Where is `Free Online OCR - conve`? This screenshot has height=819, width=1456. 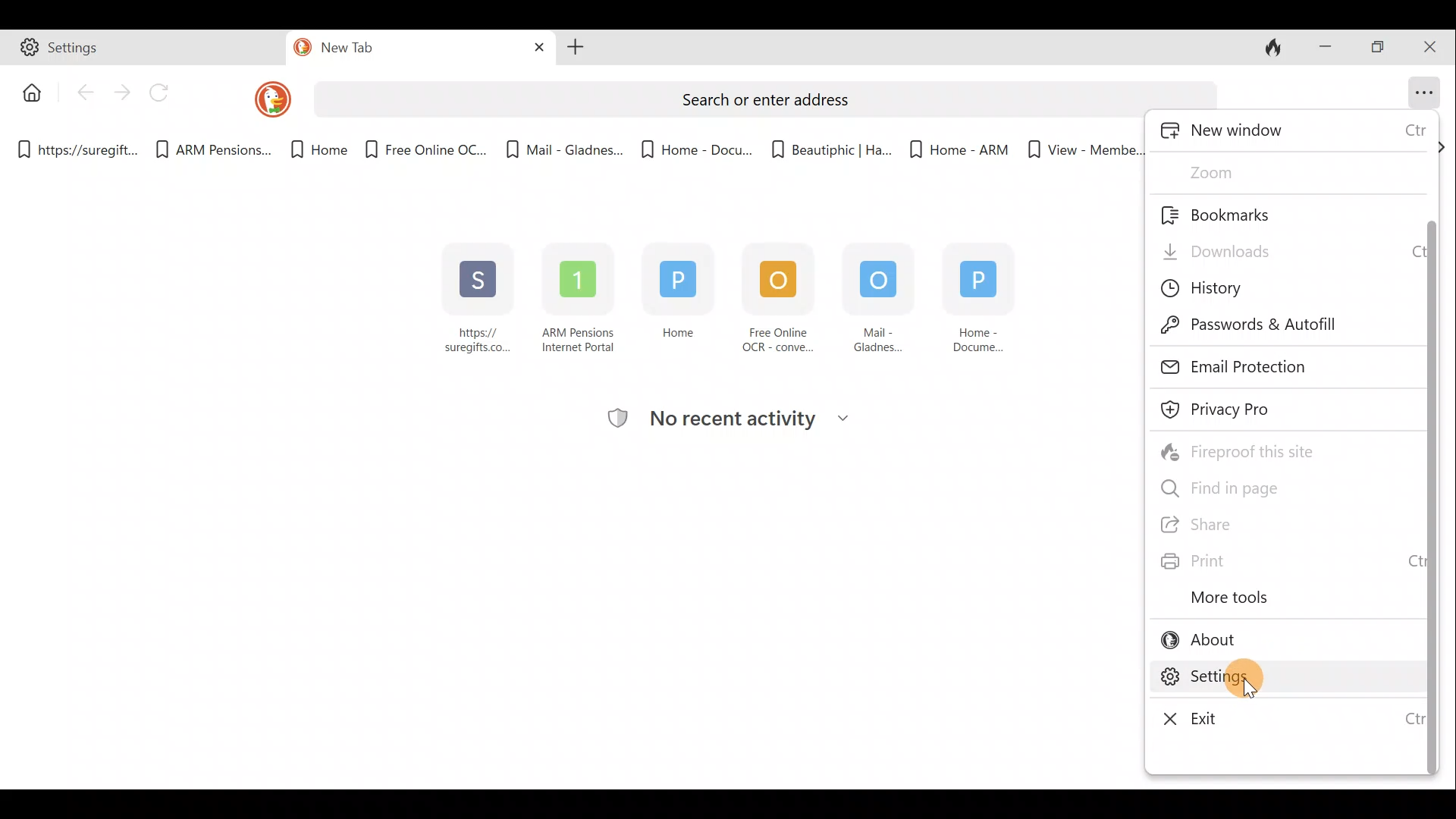 Free Online OCR - conve is located at coordinates (773, 298).